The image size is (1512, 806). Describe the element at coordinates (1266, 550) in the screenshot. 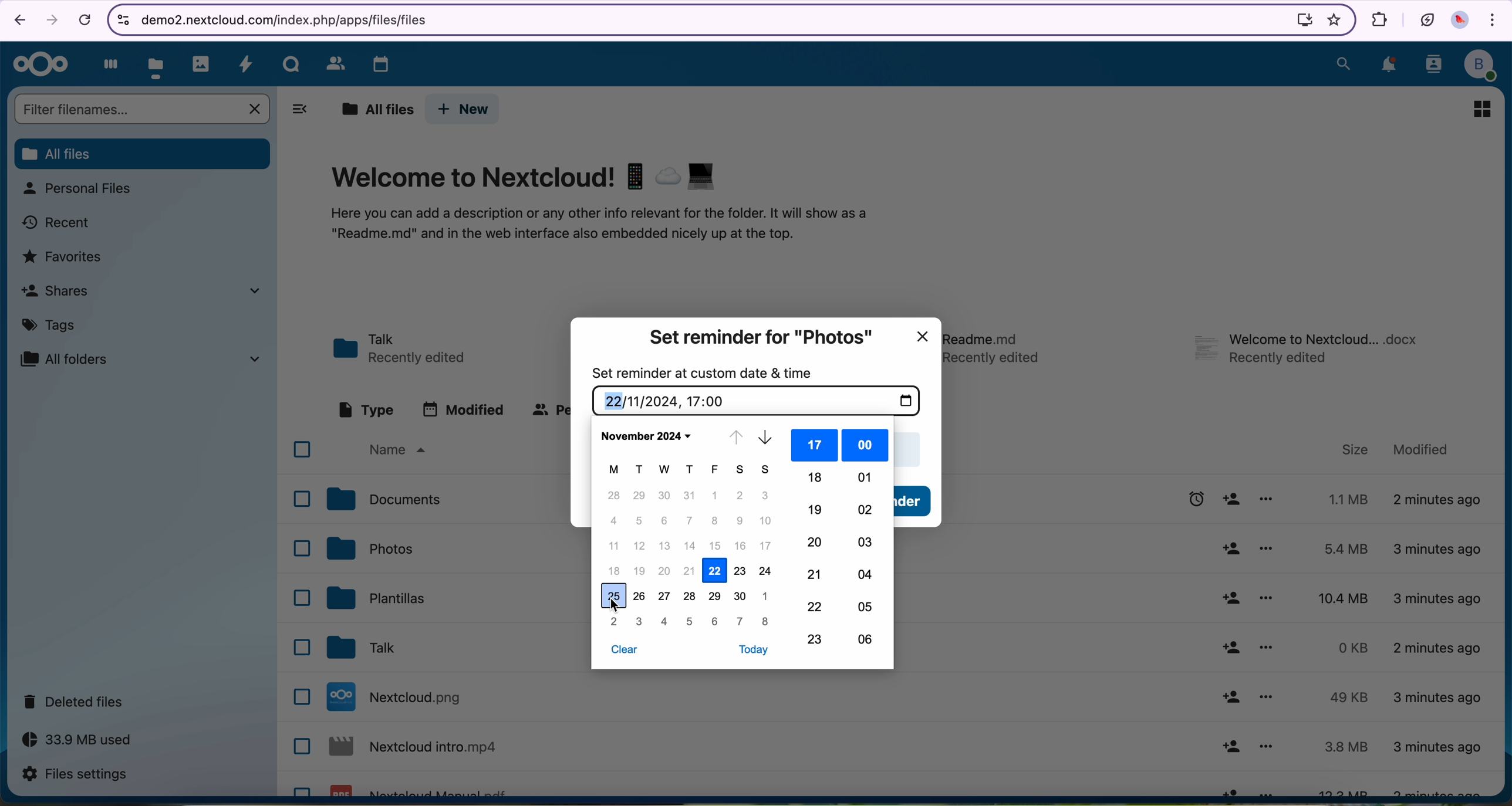

I see `more options opened` at that location.